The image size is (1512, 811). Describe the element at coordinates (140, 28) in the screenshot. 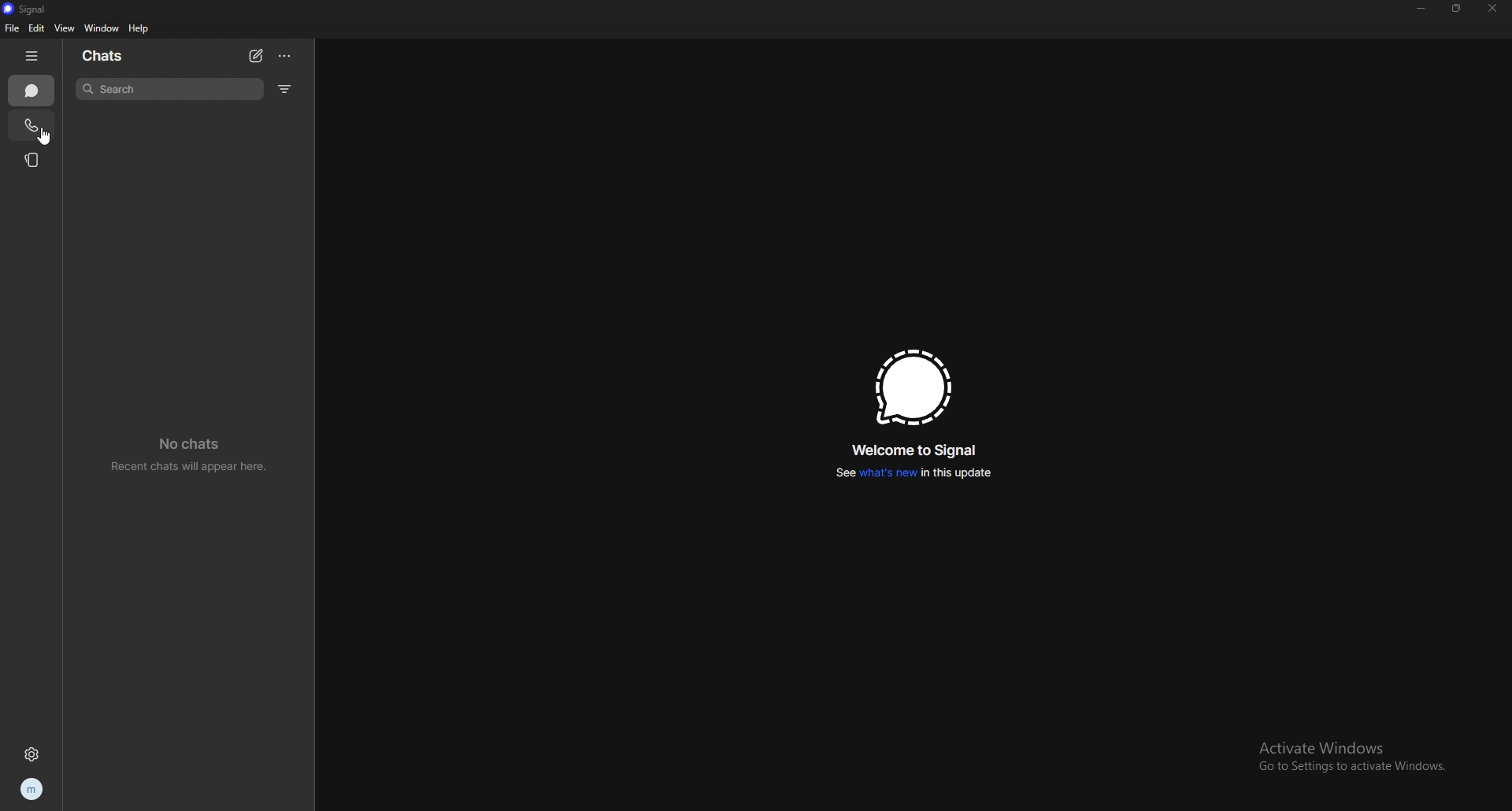

I see `help` at that location.